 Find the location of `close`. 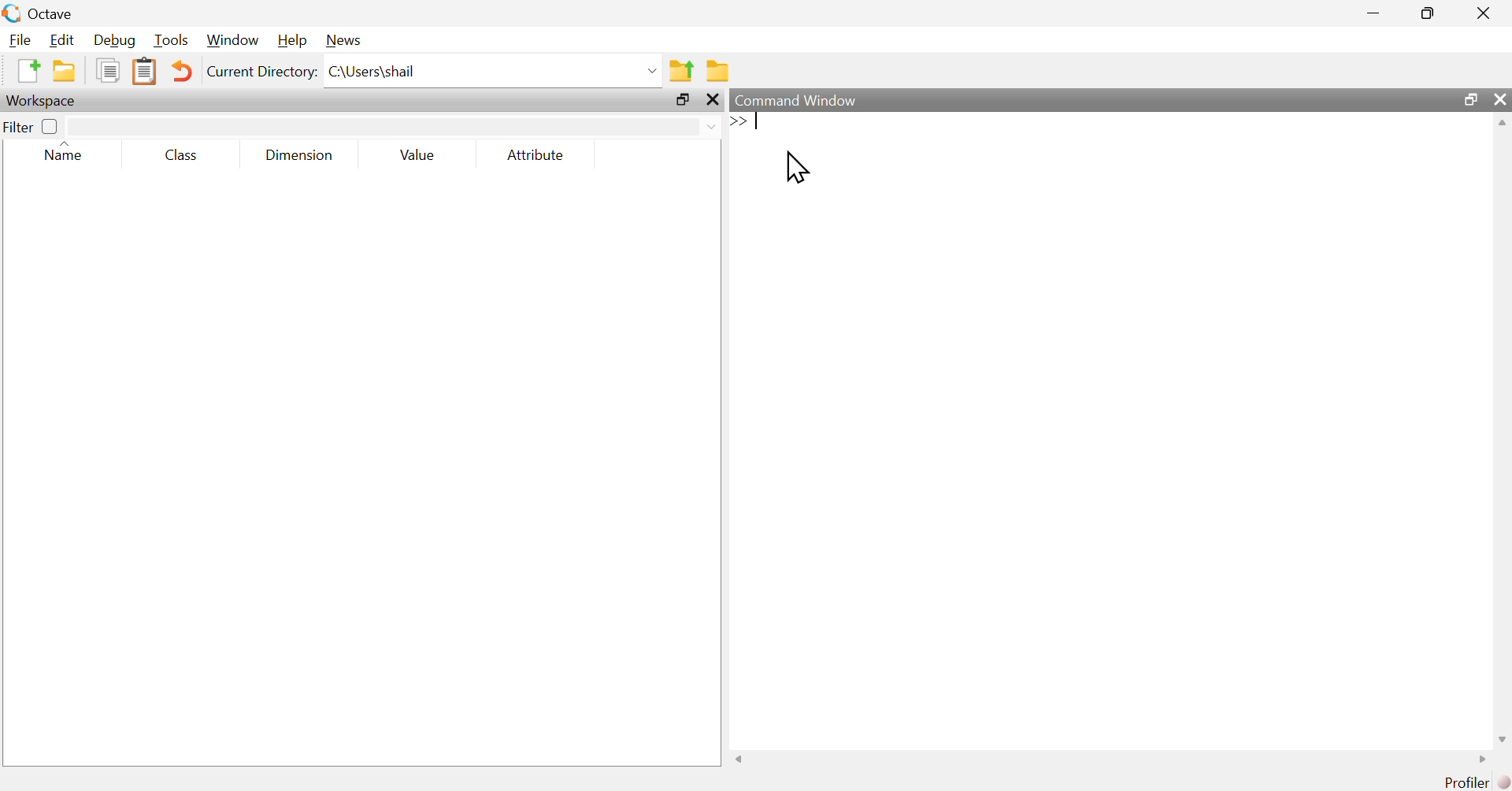

close is located at coordinates (1499, 101).